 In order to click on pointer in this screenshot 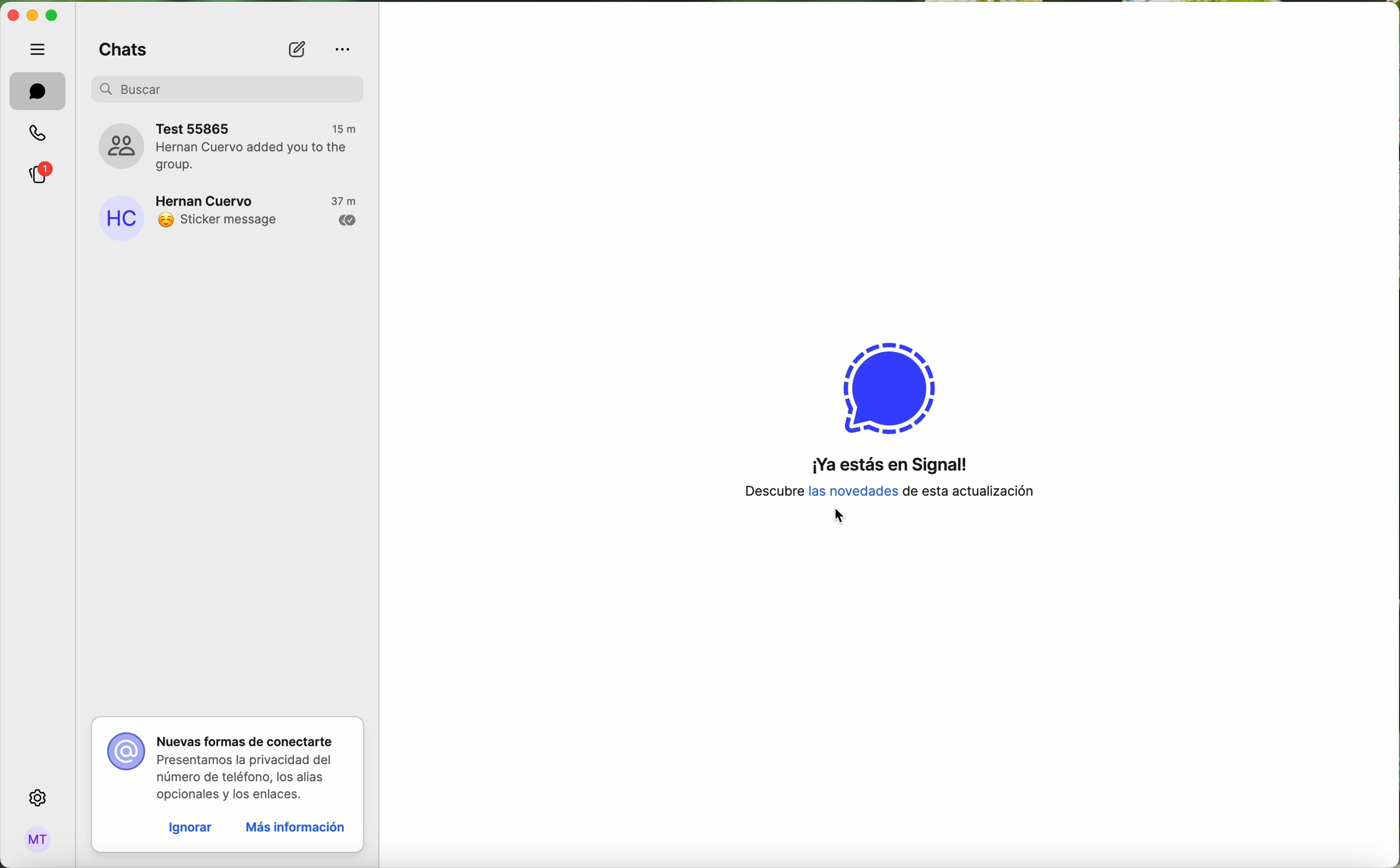, I will do `click(838, 519)`.